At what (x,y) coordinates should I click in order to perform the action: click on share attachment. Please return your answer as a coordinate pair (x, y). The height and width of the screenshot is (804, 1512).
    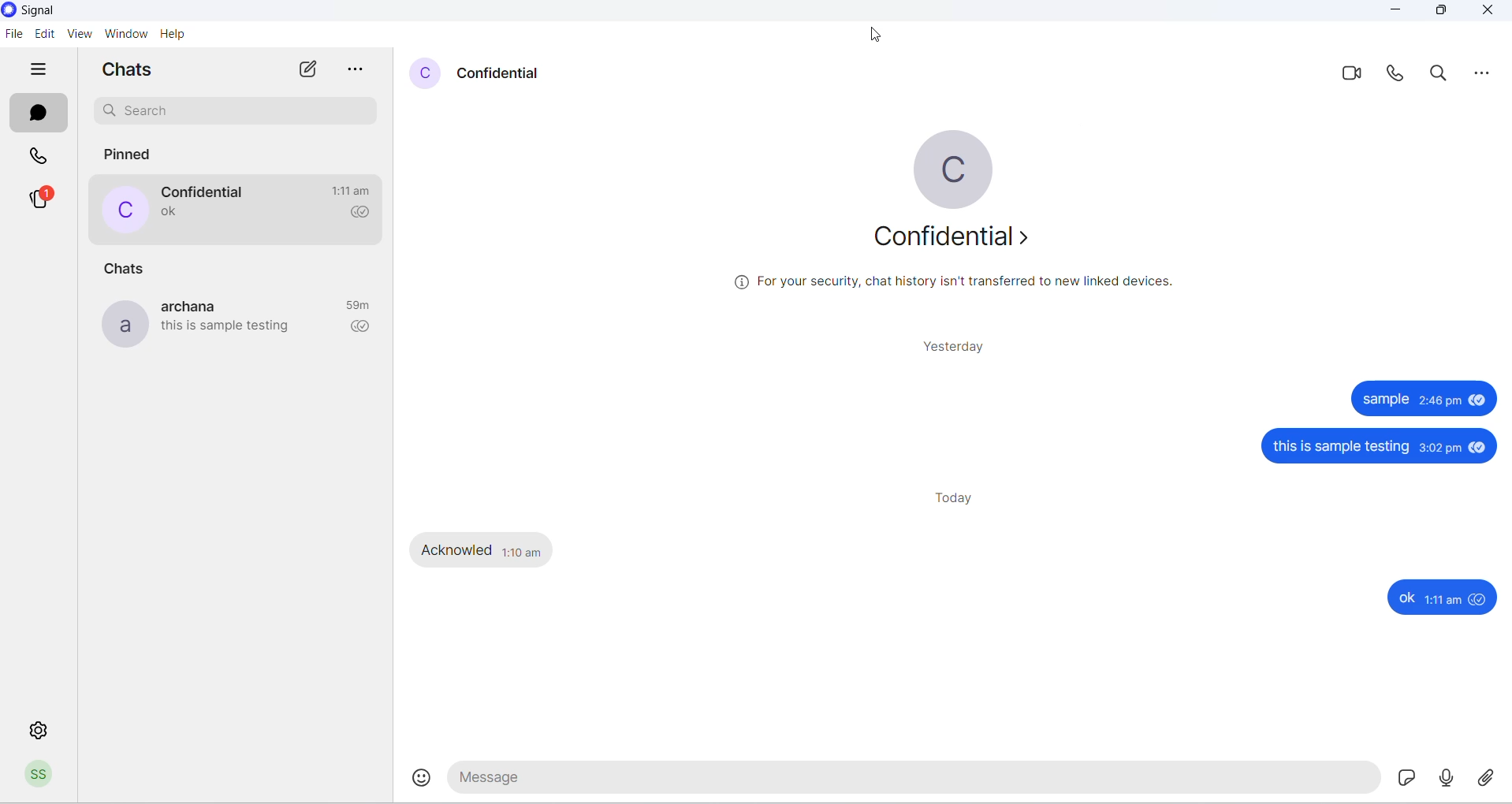
    Looking at the image, I should click on (1492, 780).